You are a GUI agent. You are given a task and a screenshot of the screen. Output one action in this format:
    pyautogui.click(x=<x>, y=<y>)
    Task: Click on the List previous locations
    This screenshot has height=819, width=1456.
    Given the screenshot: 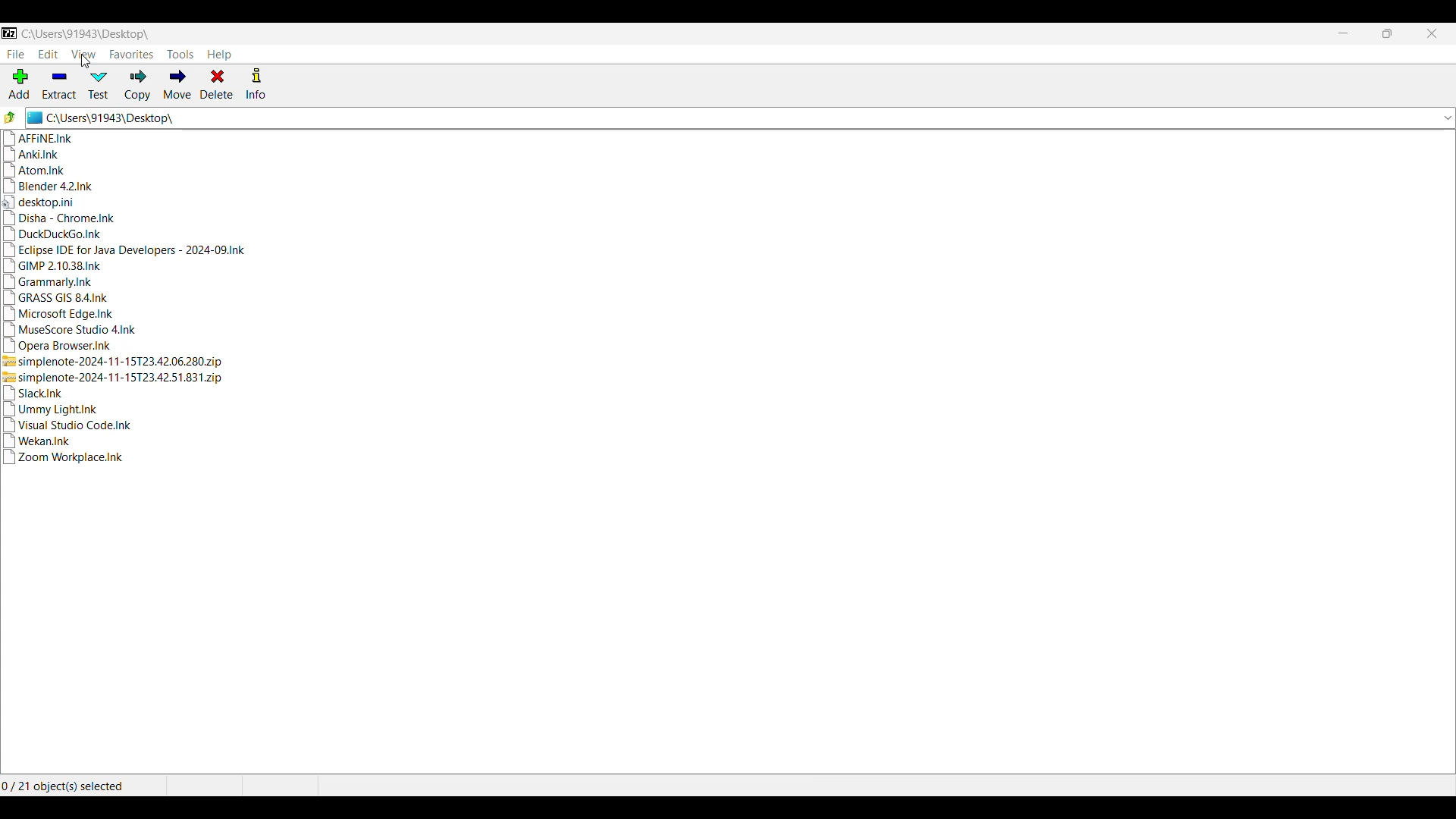 What is the action you would take?
    pyautogui.click(x=1448, y=118)
    